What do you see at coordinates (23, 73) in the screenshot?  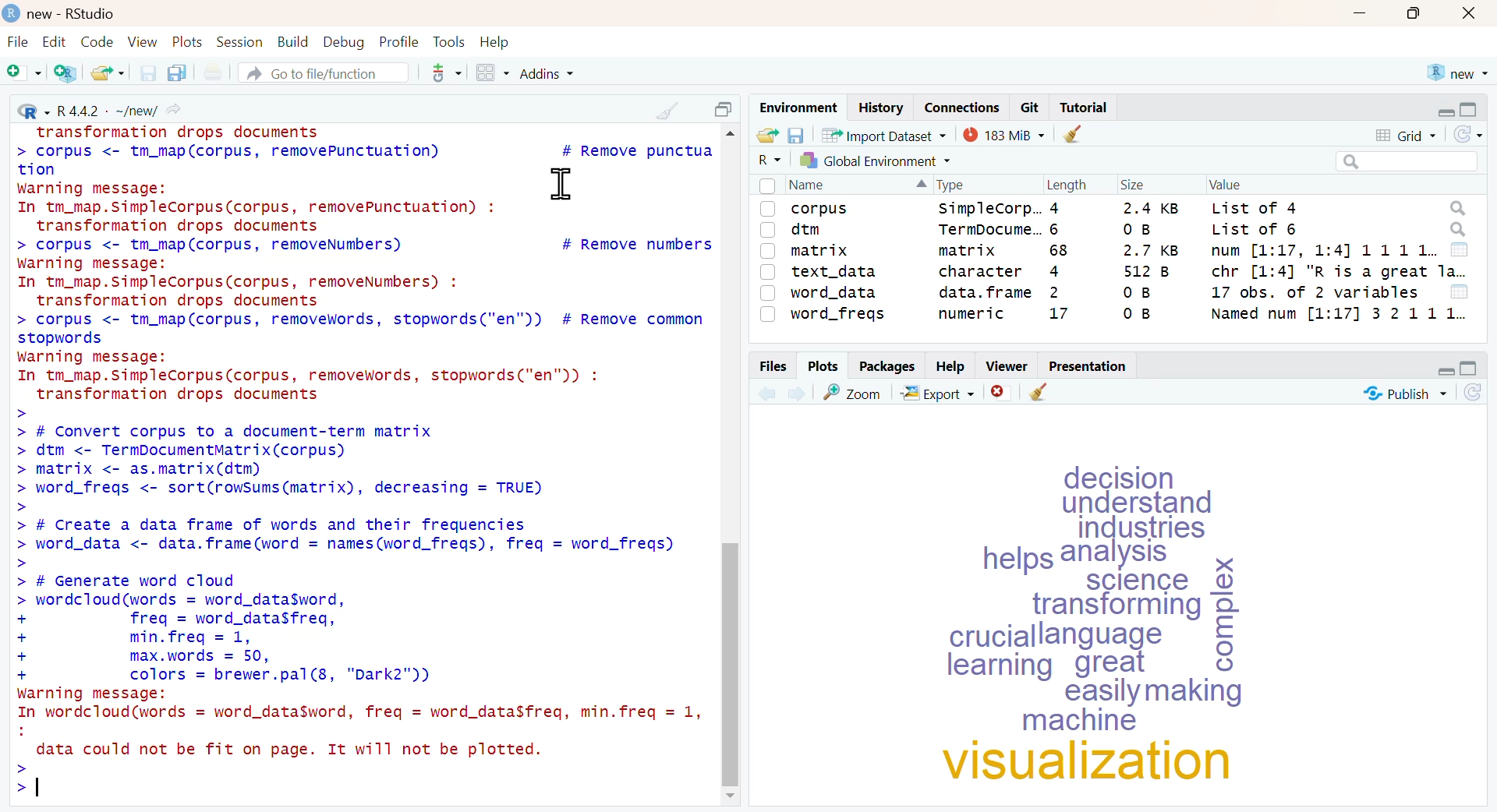 I see `New file` at bounding box center [23, 73].